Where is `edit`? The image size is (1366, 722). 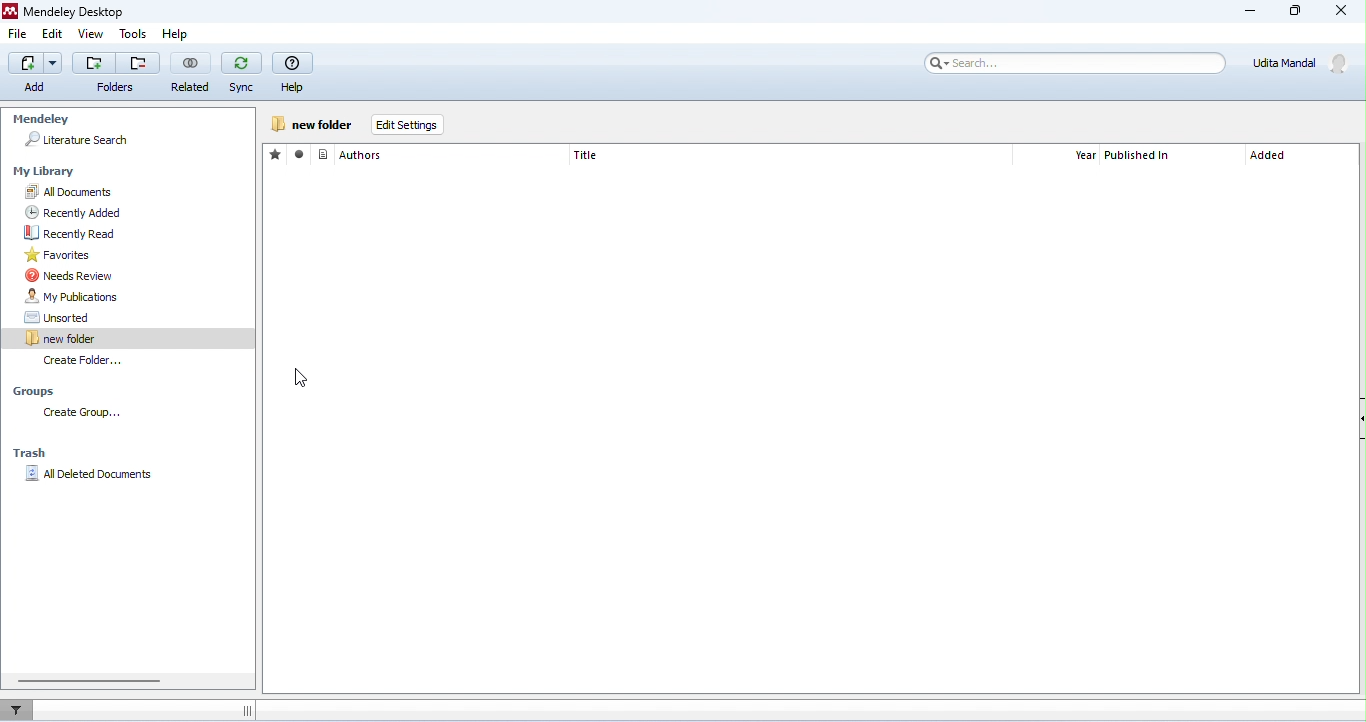 edit is located at coordinates (53, 34).